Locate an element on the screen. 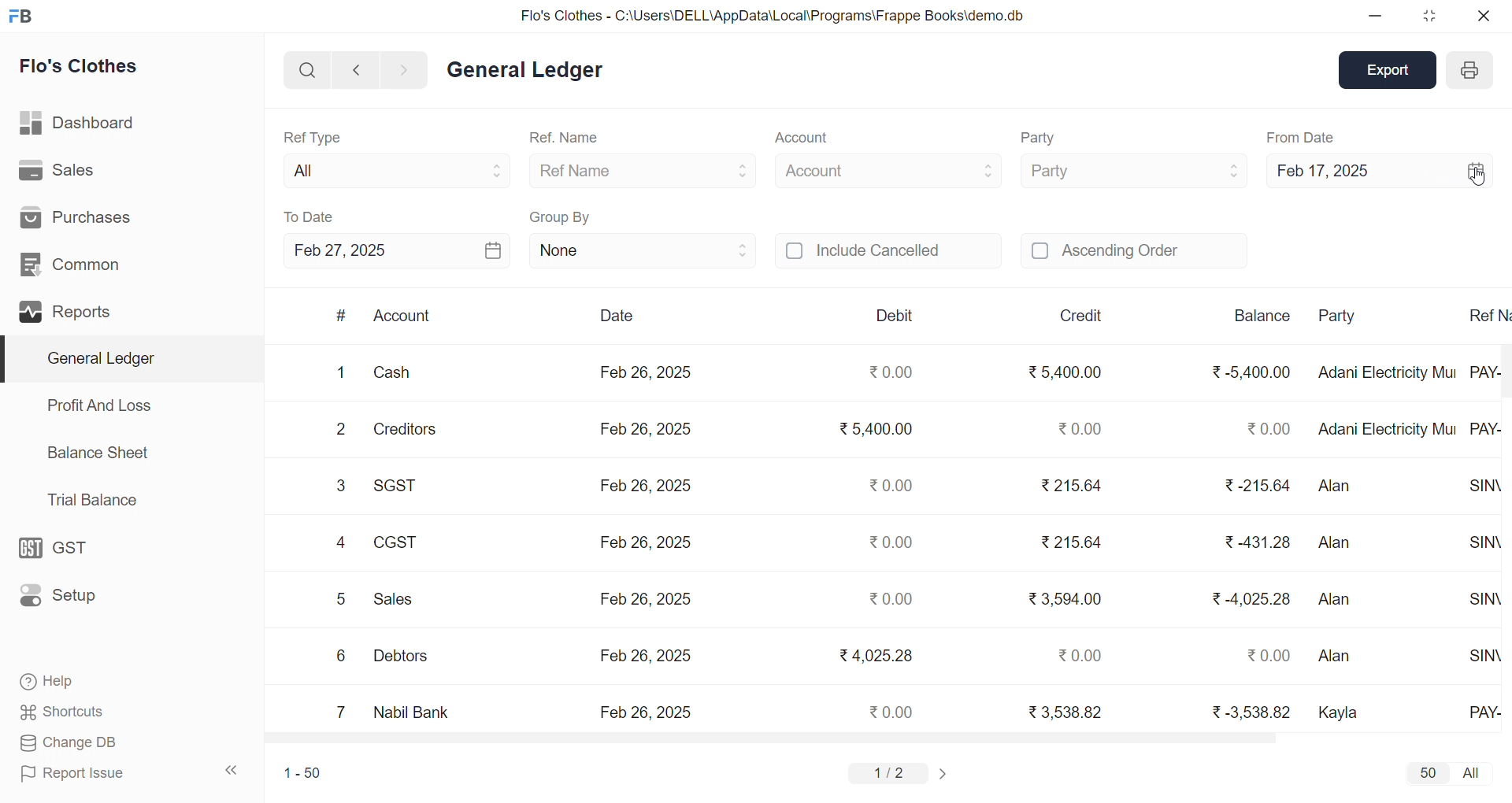 The image size is (1512, 803). RESIZE is located at coordinates (1426, 16).